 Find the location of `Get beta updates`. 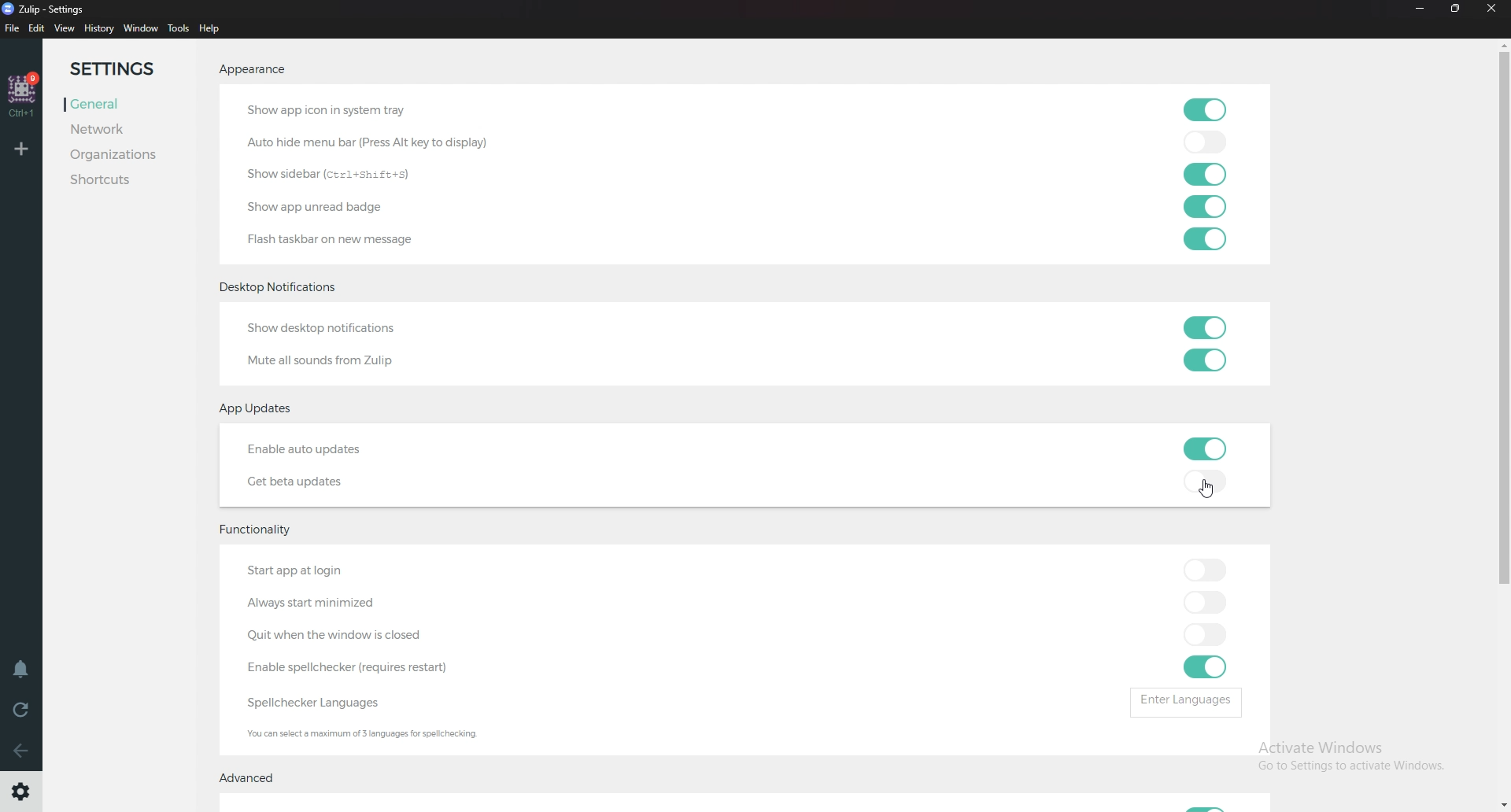

Get beta updates is located at coordinates (291, 484).